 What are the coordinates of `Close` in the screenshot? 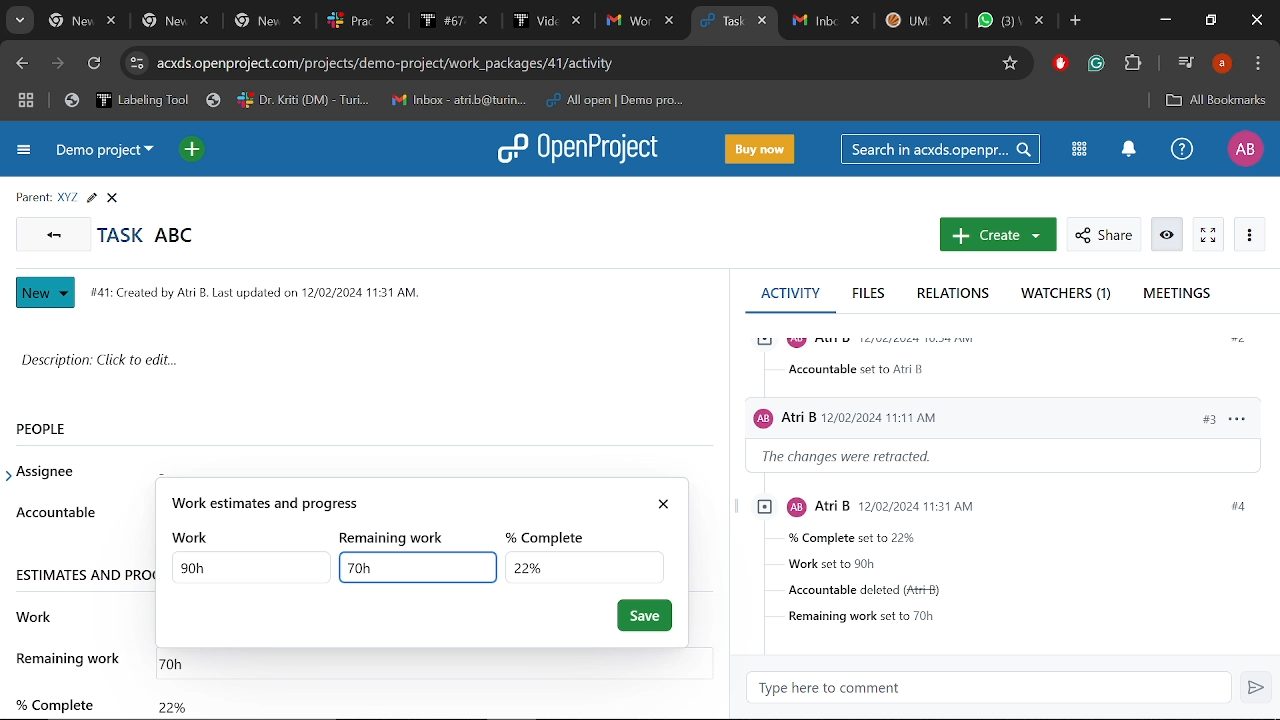 It's located at (1254, 21).